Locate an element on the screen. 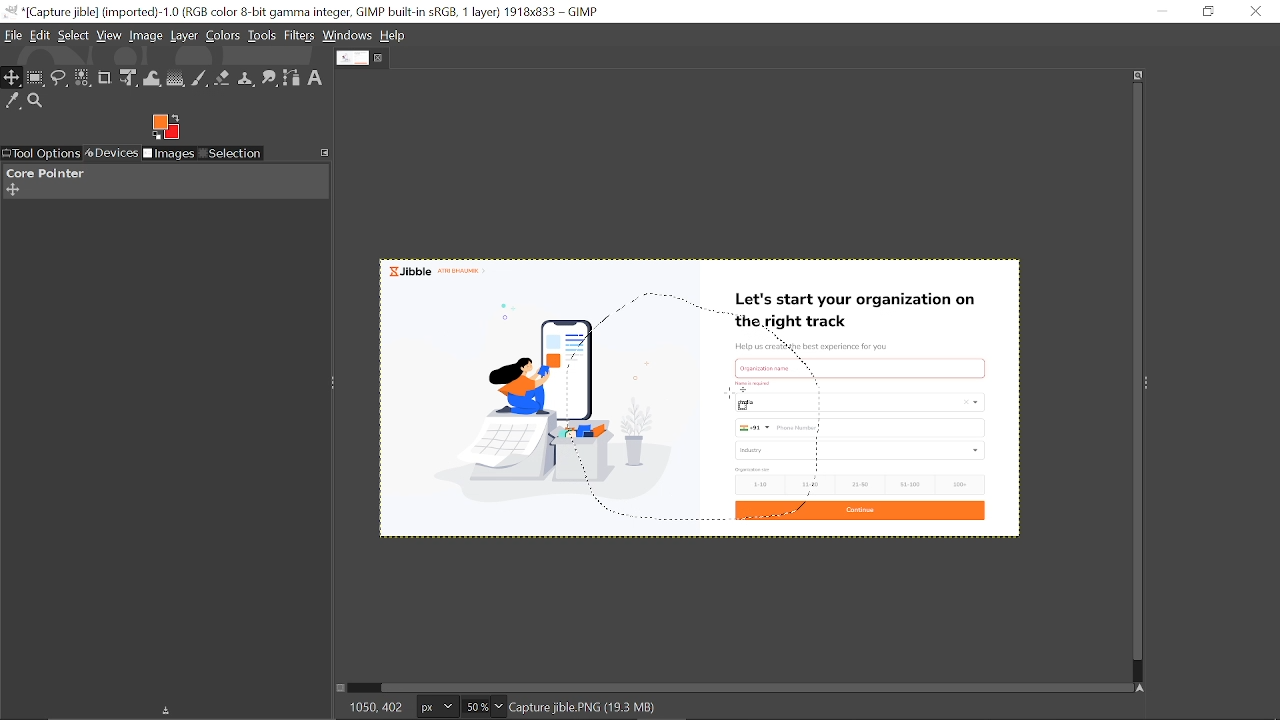  Minimize is located at coordinates (1161, 10).